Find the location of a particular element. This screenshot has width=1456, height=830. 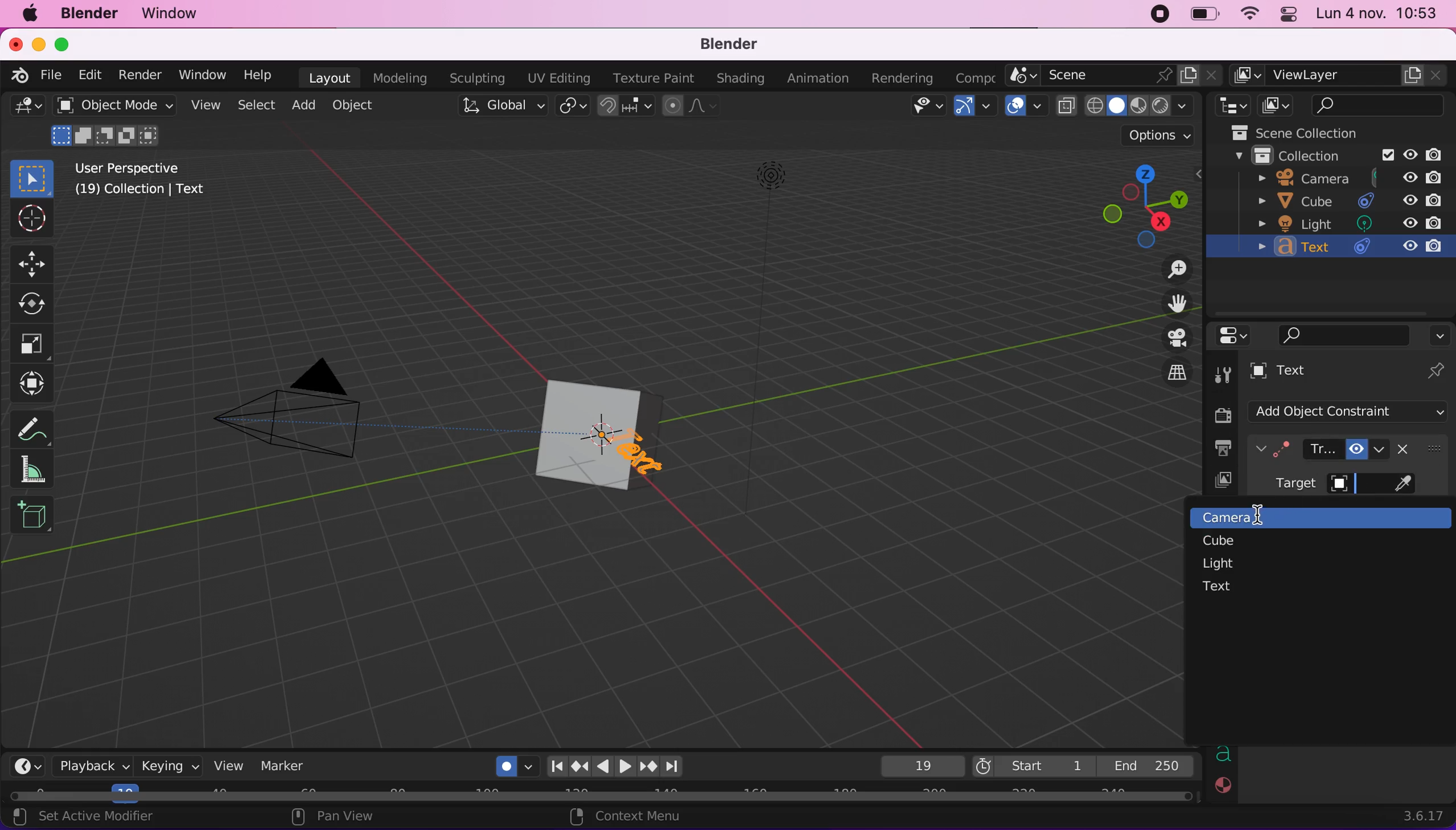

transformation orientation is located at coordinates (501, 107).